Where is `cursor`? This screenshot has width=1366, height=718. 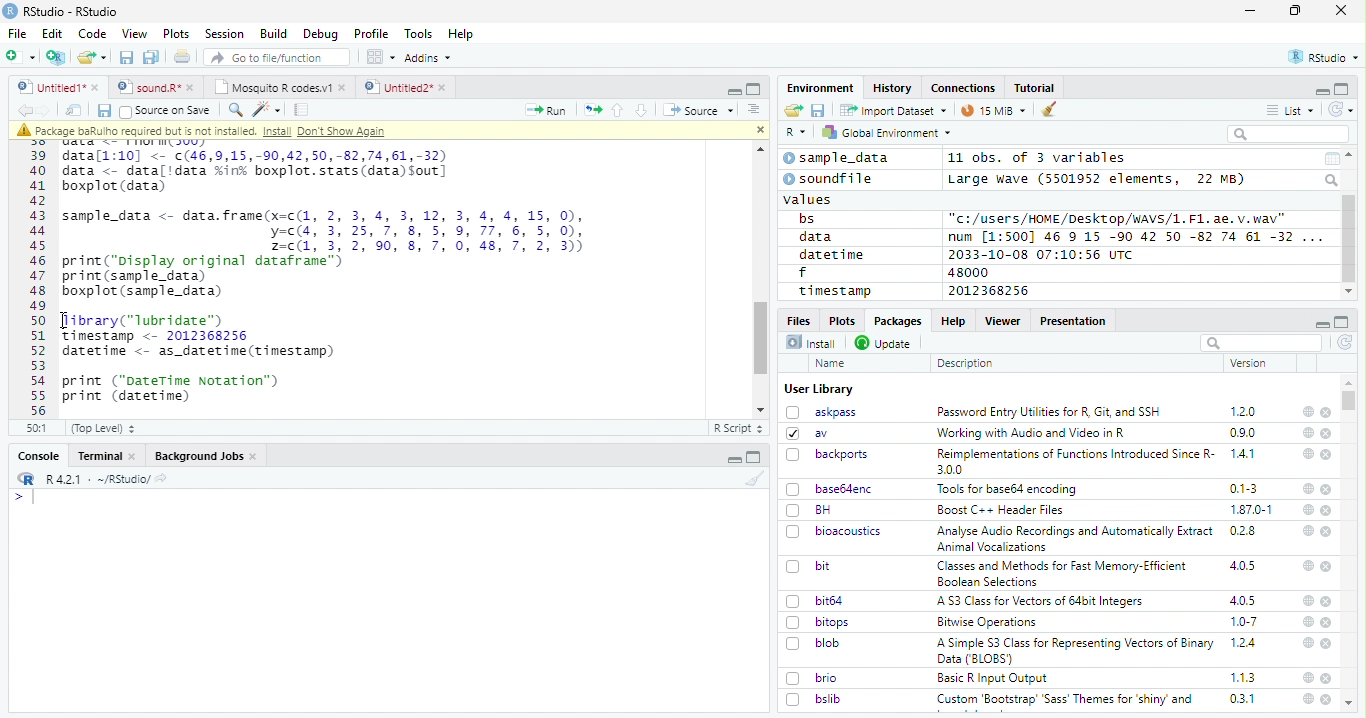 cursor is located at coordinates (69, 321).